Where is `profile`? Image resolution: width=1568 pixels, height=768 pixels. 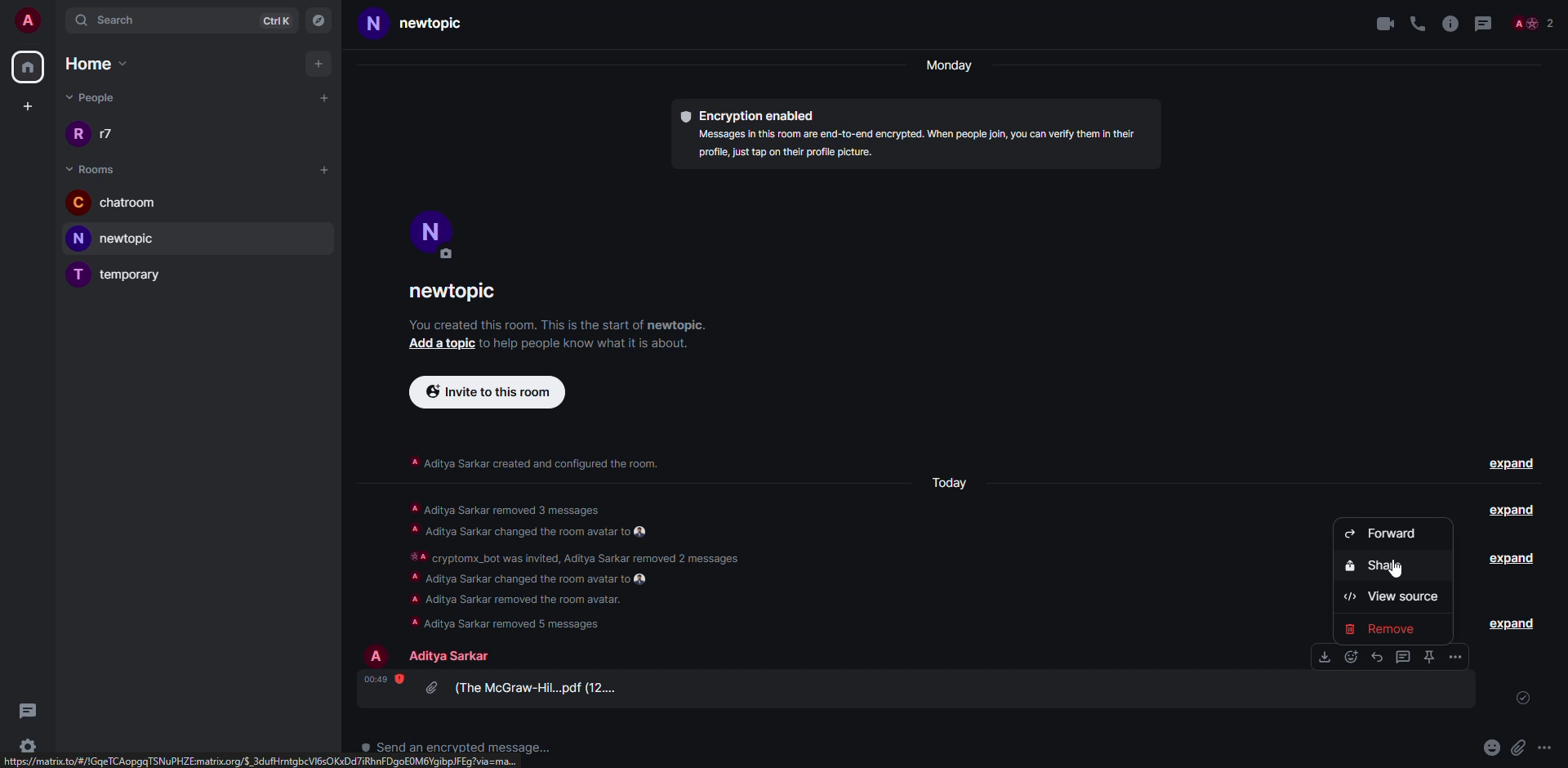
profile is located at coordinates (431, 230).